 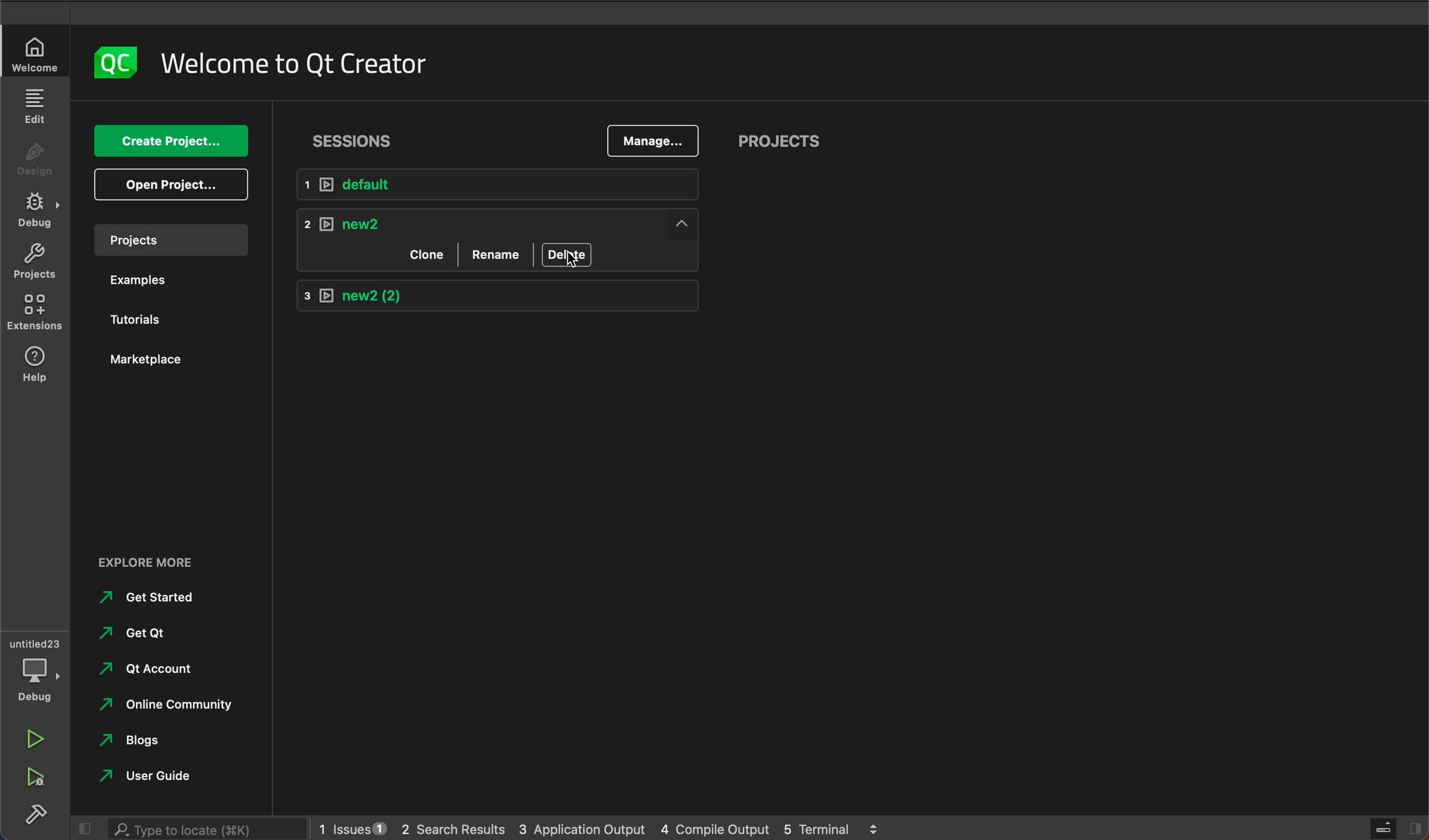 What do you see at coordinates (35, 262) in the screenshot?
I see `projects` at bounding box center [35, 262].